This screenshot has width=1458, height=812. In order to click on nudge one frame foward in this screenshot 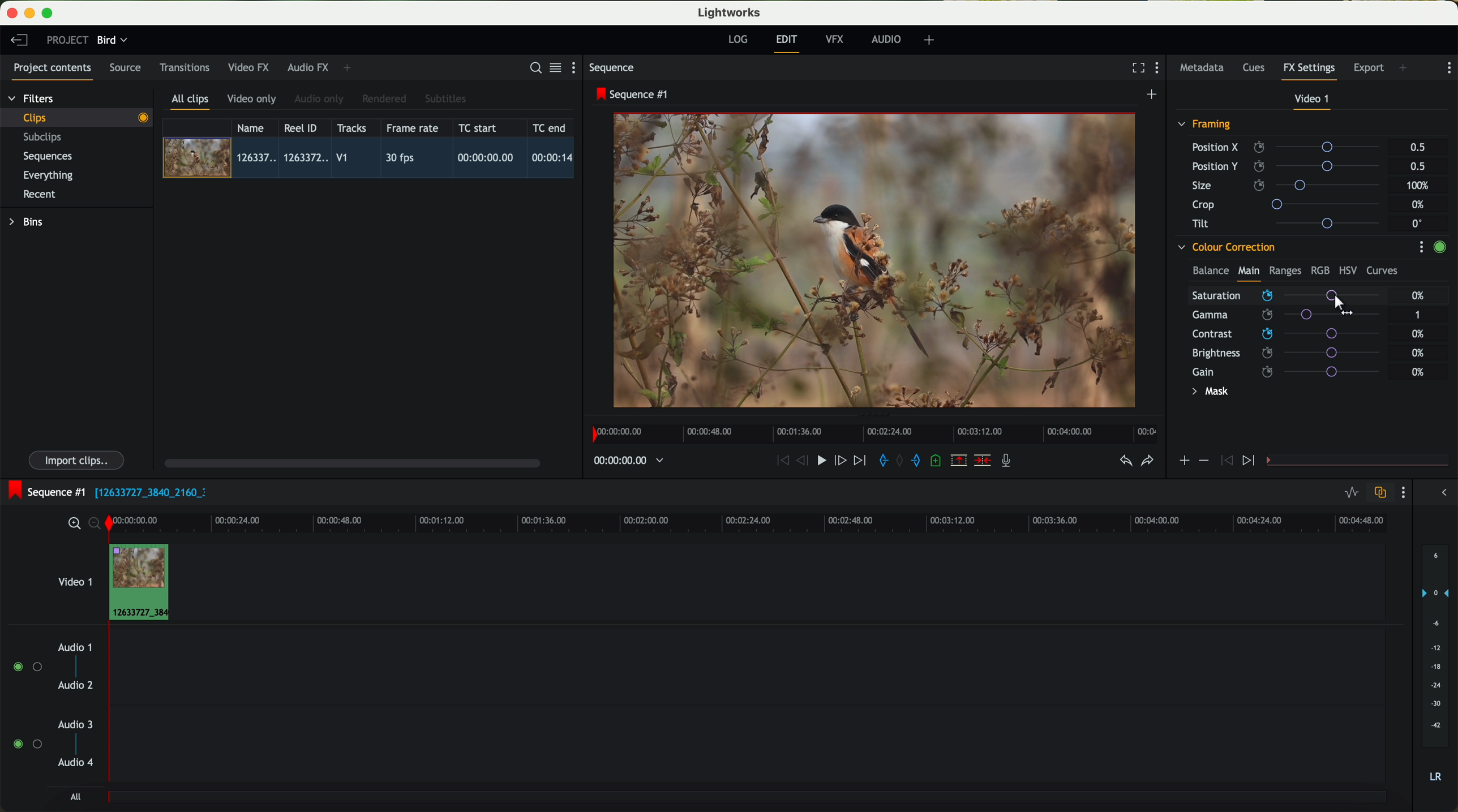, I will do `click(842, 461)`.